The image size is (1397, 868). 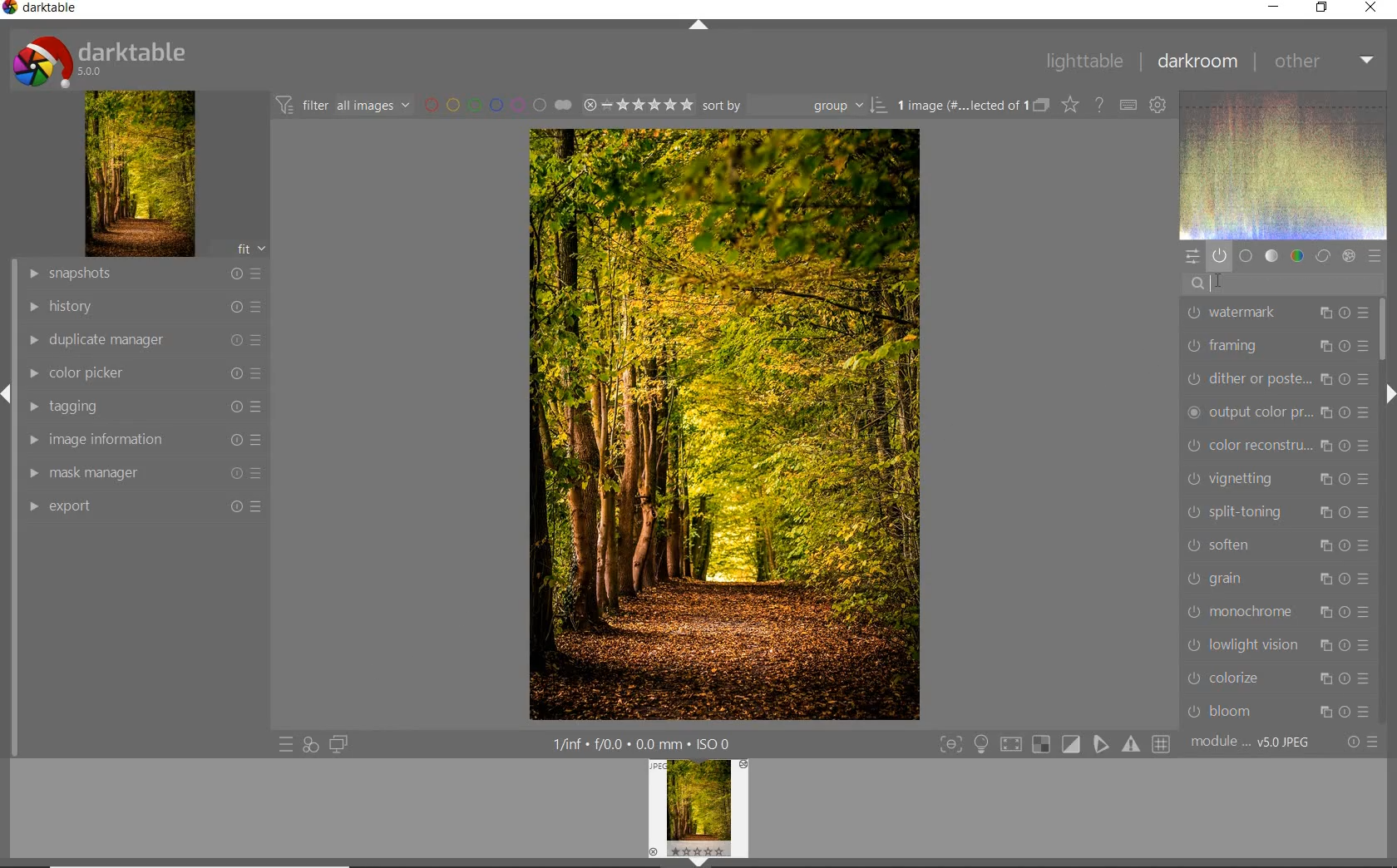 What do you see at coordinates (1190, 256) in the screenshot?
I see `quick access panel` at bounding box center [1190, 256].